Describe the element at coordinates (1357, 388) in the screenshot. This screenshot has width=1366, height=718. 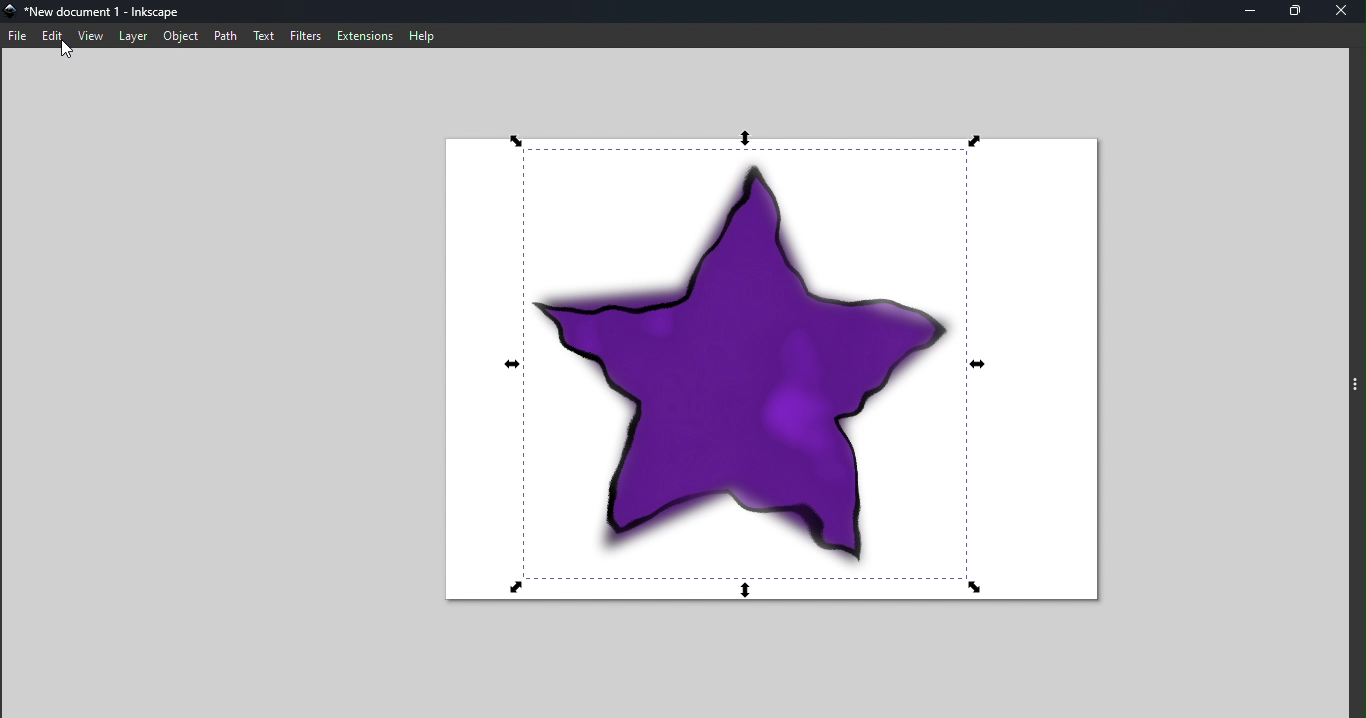
I see `toggle command panel` at that location.